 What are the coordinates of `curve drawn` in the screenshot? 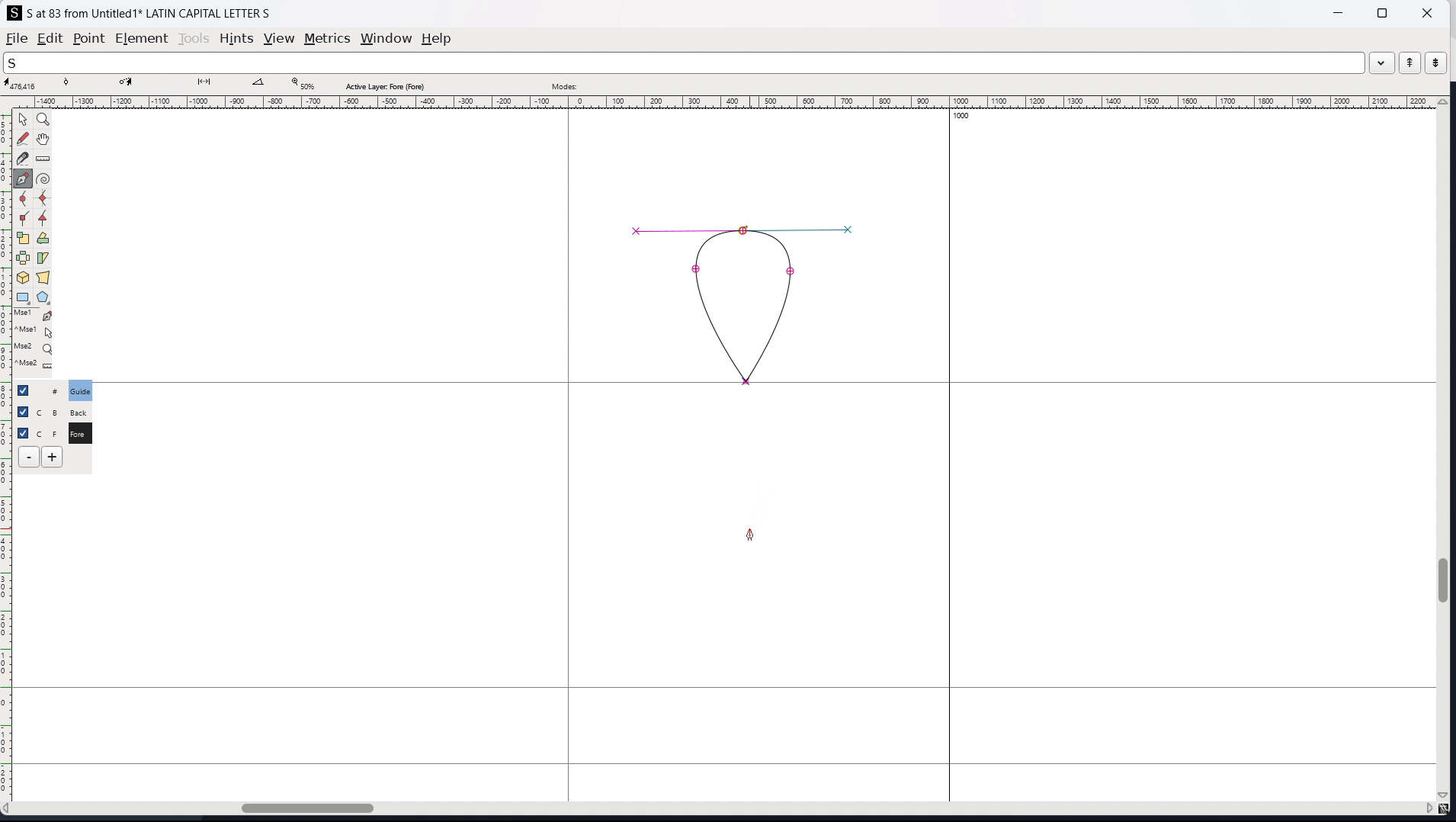 It's located at (745, 305).